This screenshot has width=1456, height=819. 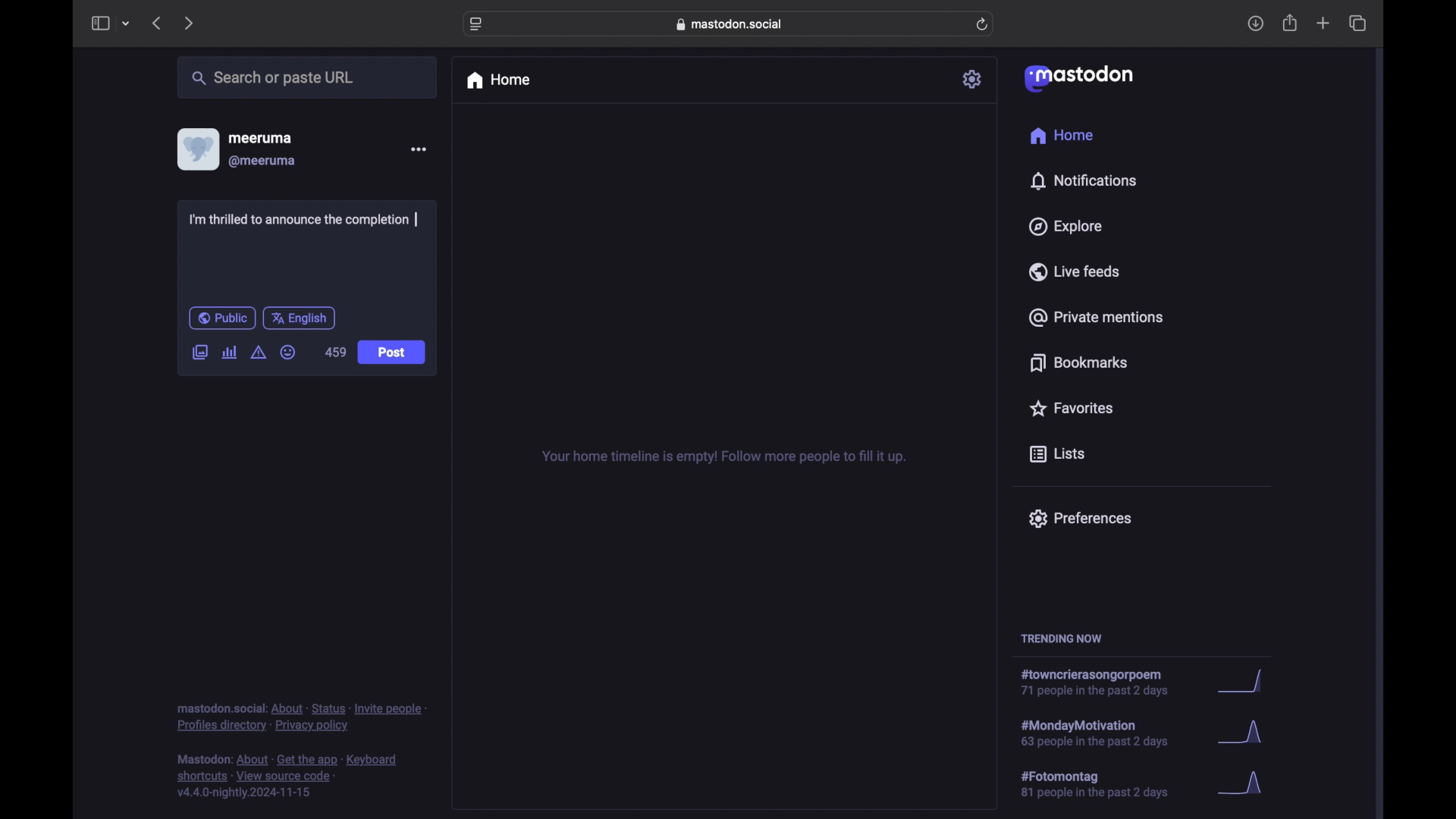 What do you see at coordinates (417, 219) in the screenshot?
I see `text cursor` at bounding box center [417, 219].